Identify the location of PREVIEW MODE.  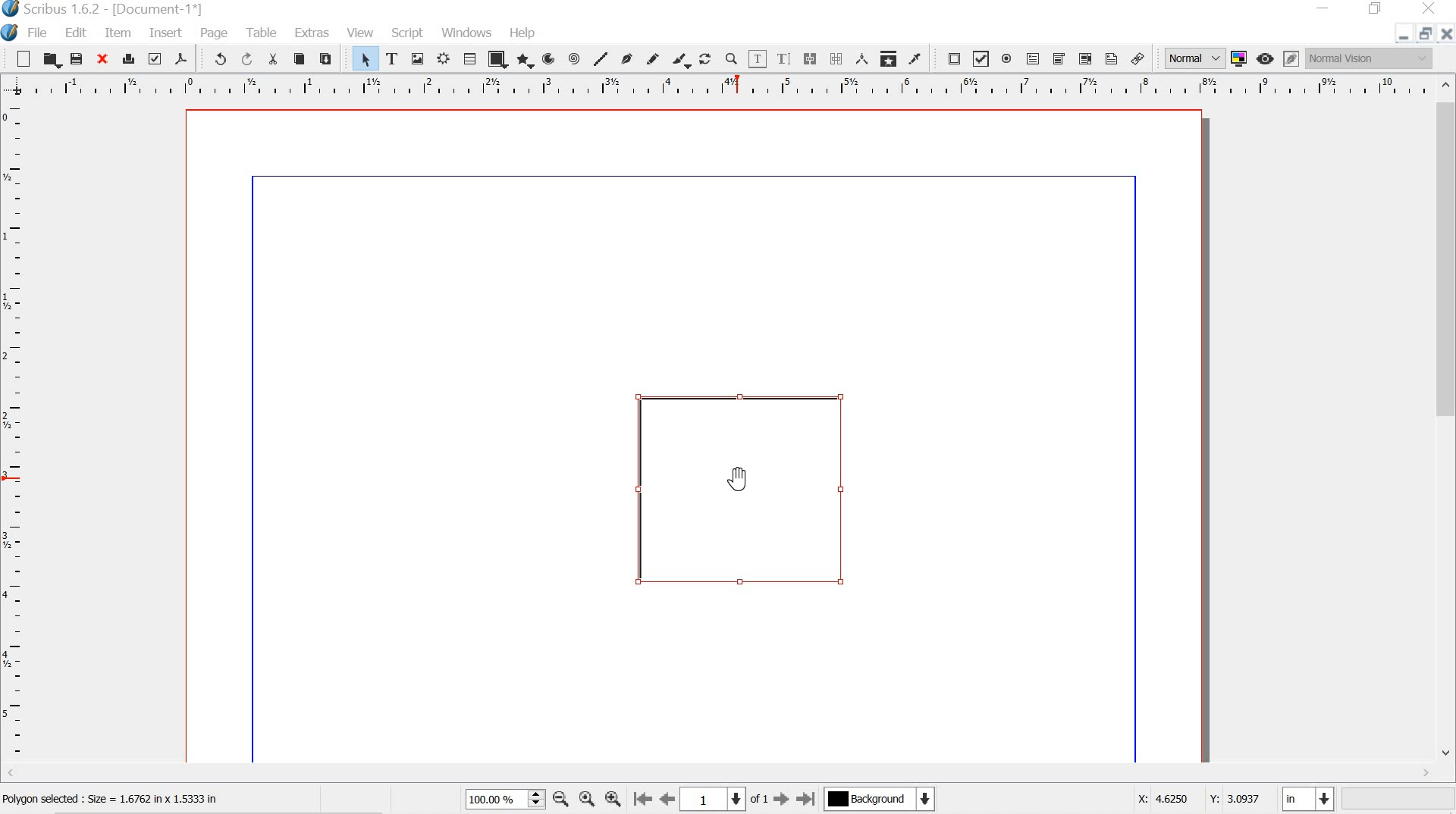
(1266, 58).